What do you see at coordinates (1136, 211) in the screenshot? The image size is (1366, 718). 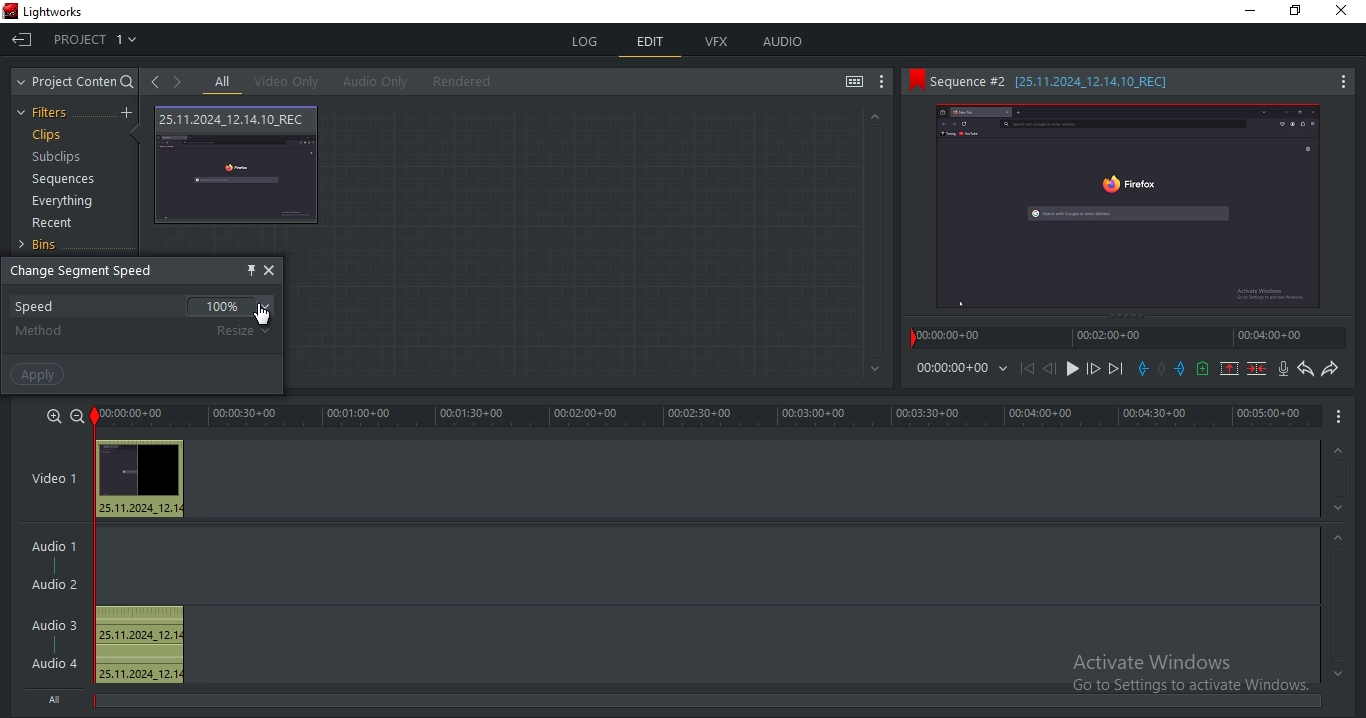 I see `Preview` at bounding box center [1136, 211].